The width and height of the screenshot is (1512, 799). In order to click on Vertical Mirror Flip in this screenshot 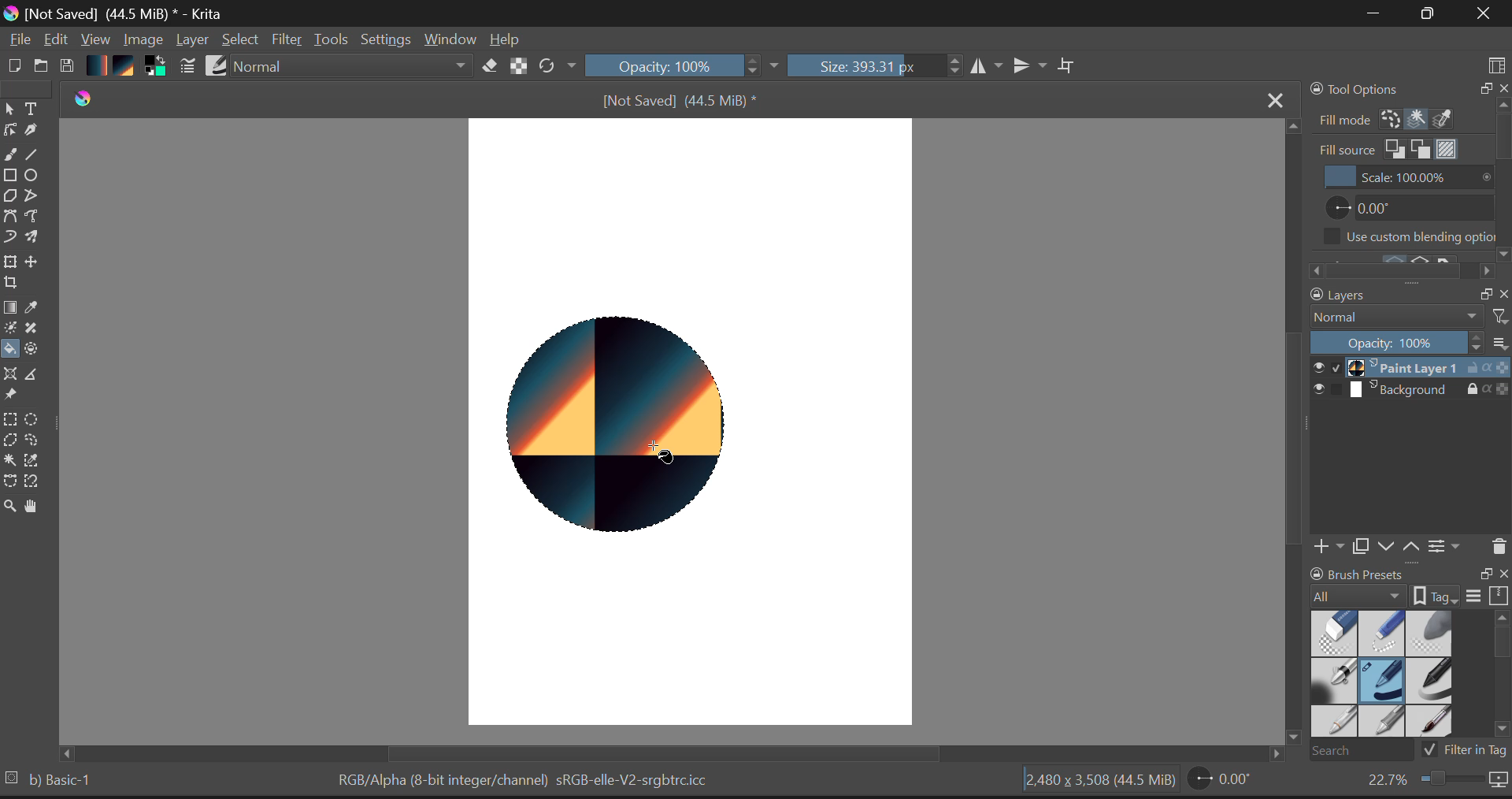, I will do `click(988, 67)`.